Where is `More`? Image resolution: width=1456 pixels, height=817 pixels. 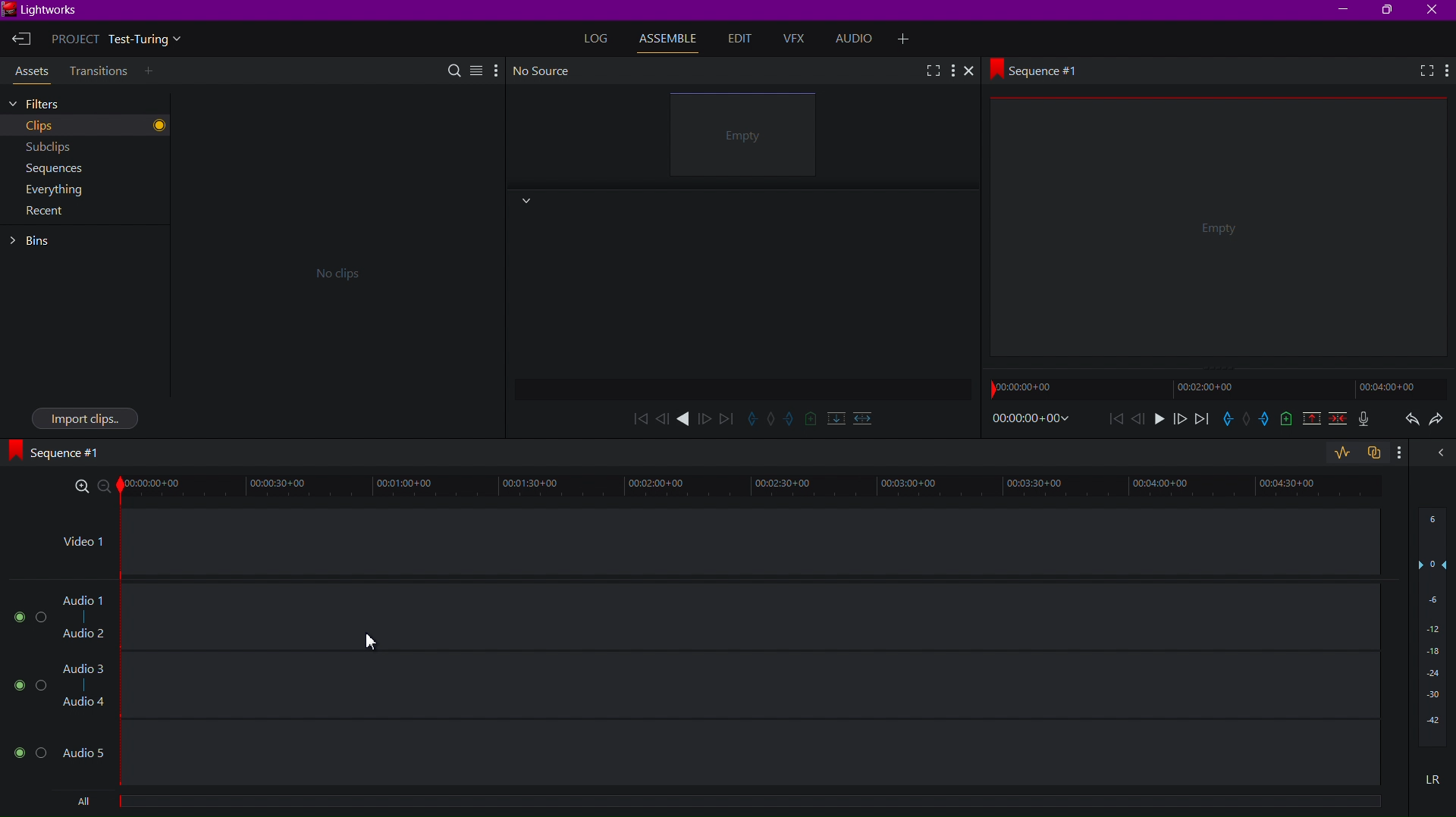
More is located at coordinates (1404, 455).